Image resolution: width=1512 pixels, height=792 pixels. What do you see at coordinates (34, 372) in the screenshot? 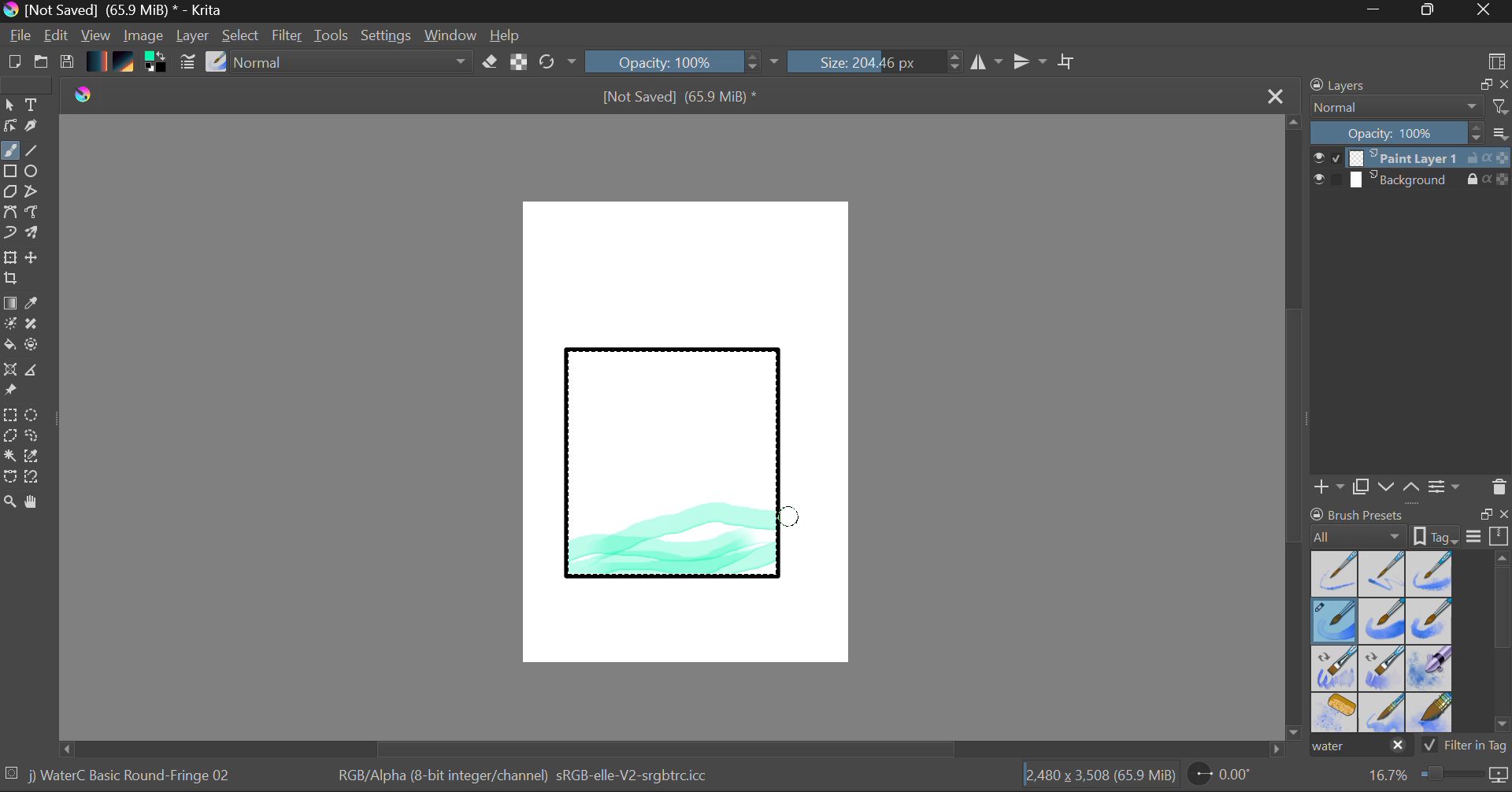
I see `Measurements` at bounding box center [34, 372].